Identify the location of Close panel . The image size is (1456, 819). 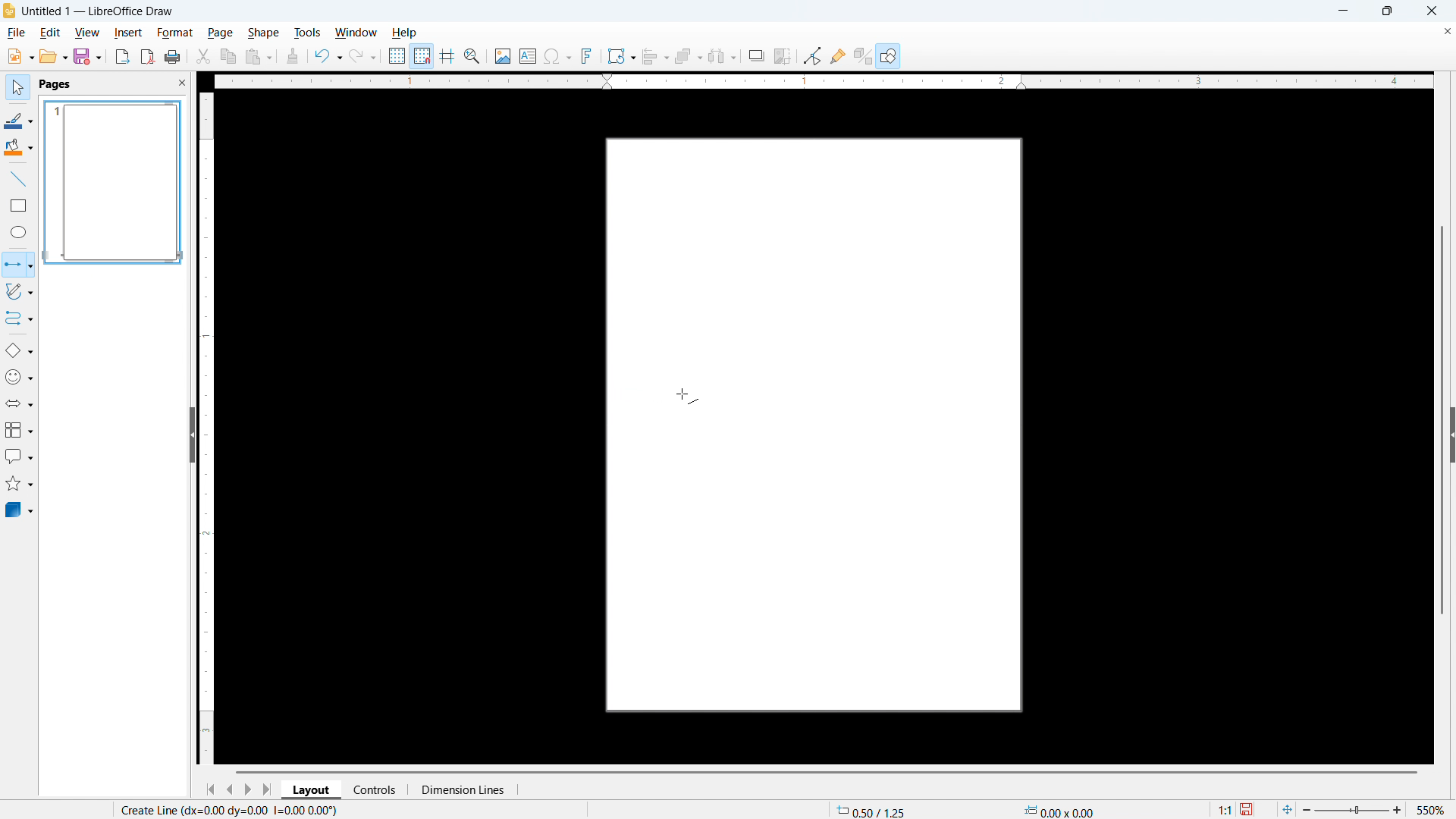
(181, 82).